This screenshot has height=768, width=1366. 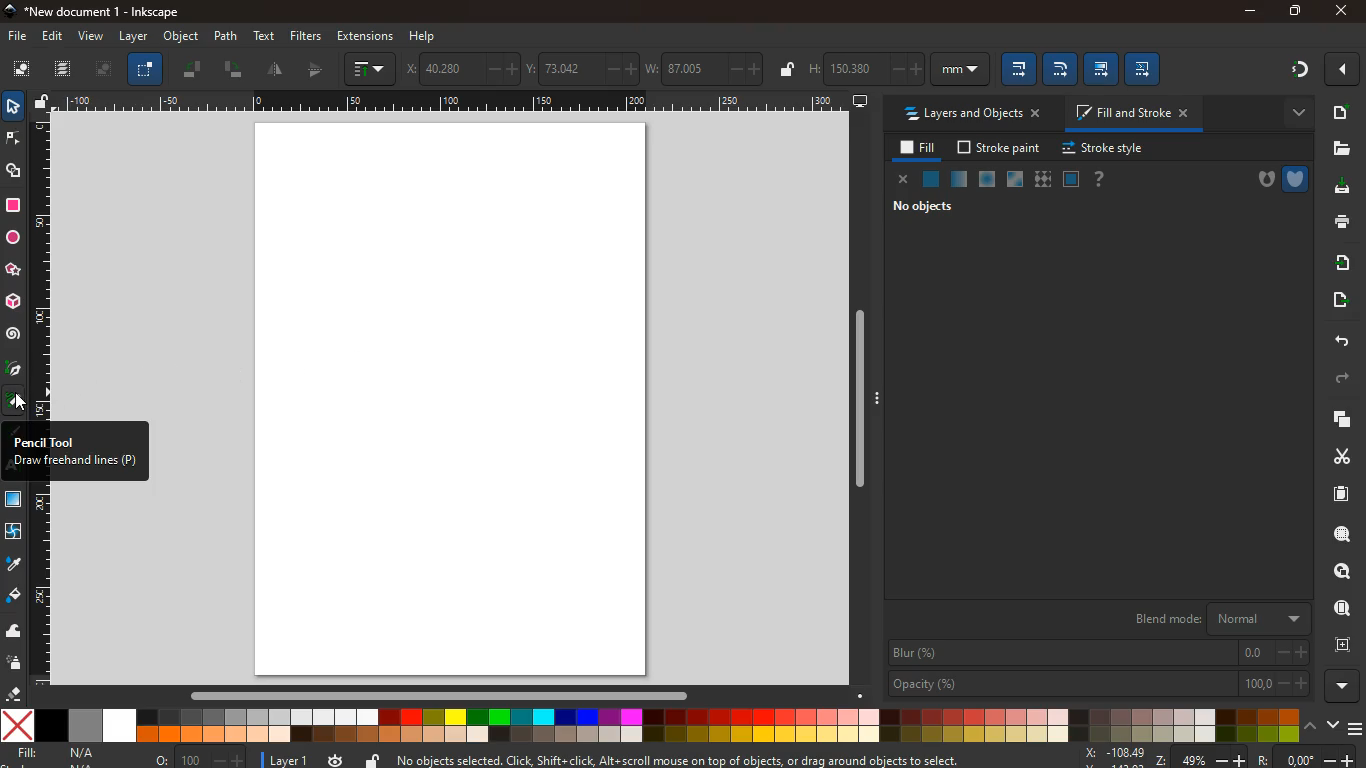 I want to click on file, so click(x=16, y=37).